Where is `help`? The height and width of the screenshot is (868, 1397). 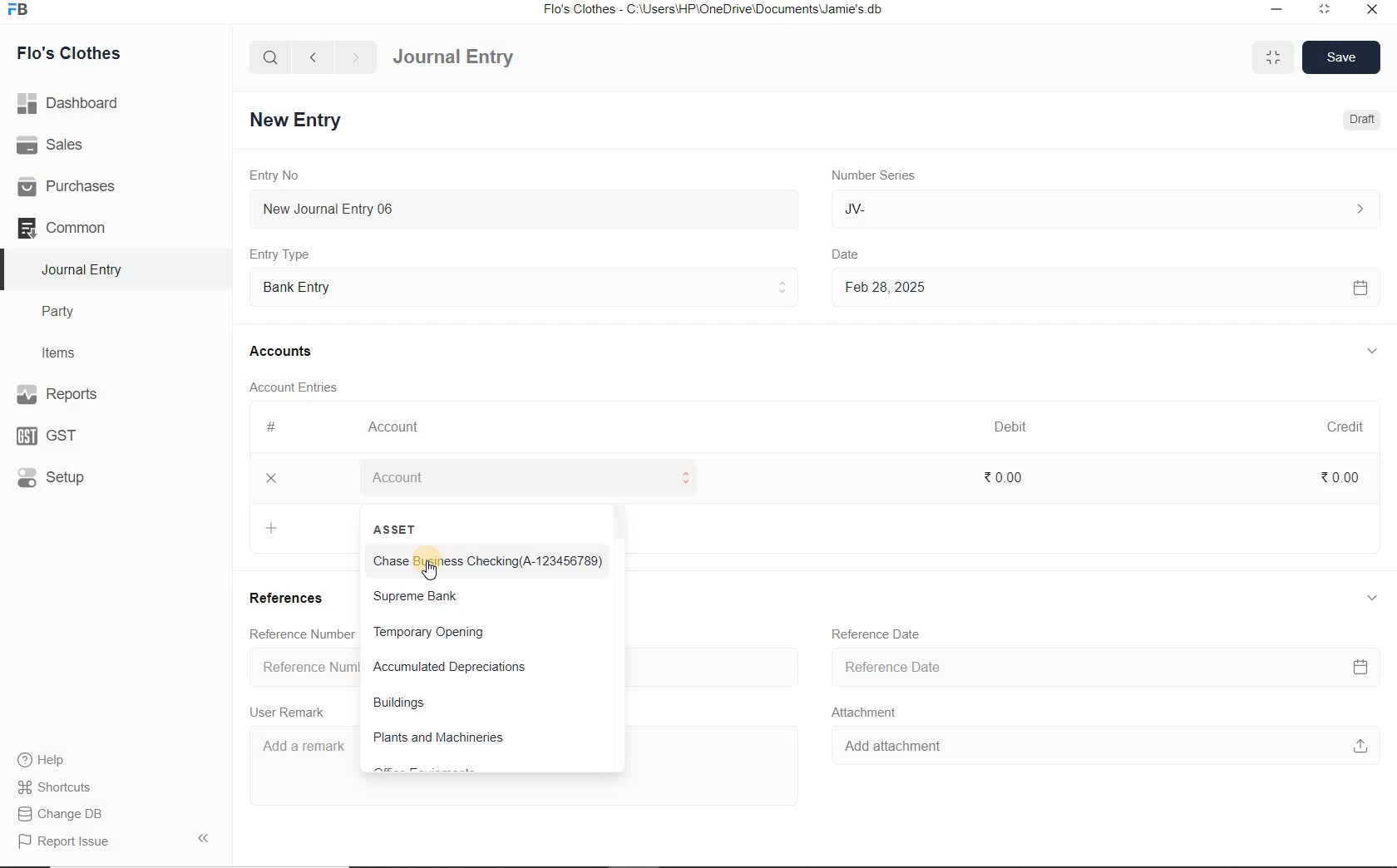 help is located at coordinates (42, 760).